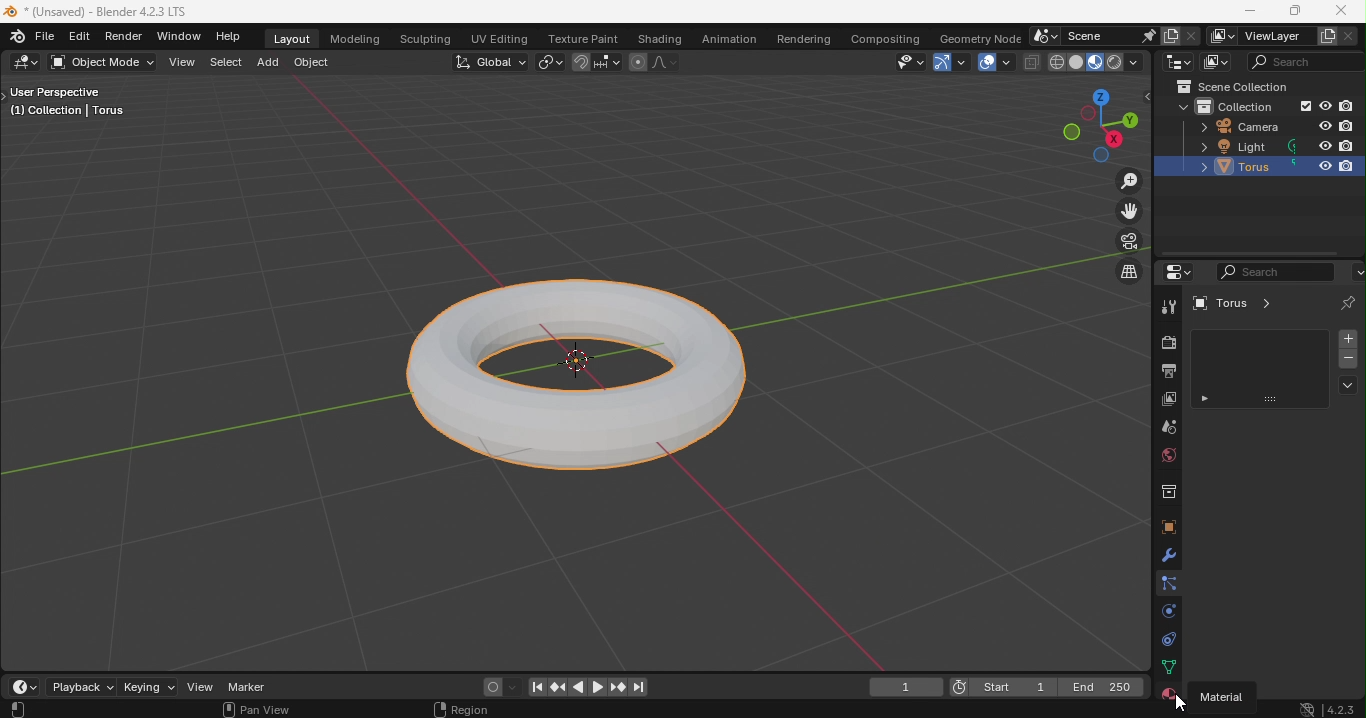 The height and width of the screenshot is (718, 1366). Describe the element at coordinates (230, 60) in the screenshot. I see `Select` at that location.